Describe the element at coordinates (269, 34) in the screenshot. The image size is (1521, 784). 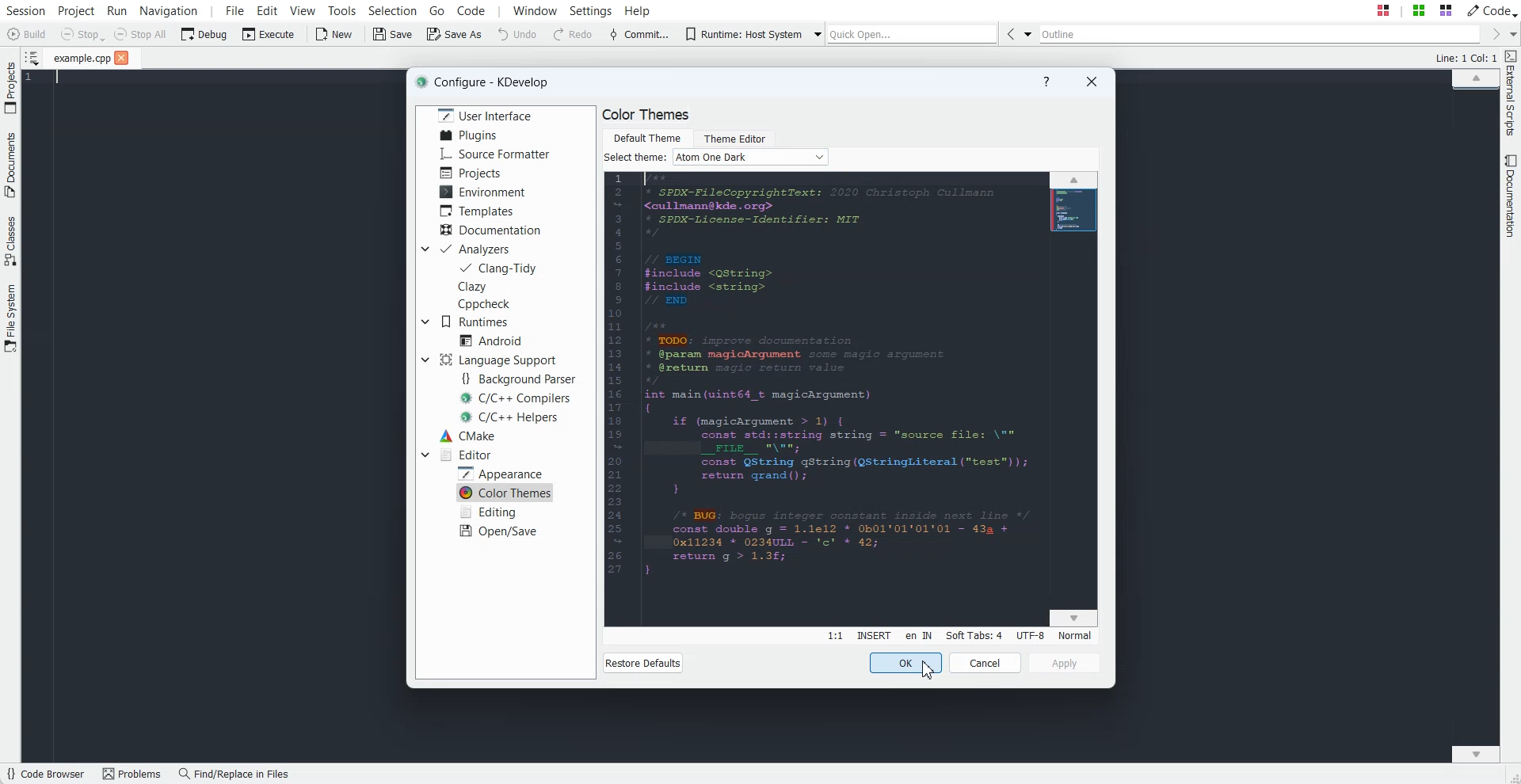
I see `Execute` at that location.